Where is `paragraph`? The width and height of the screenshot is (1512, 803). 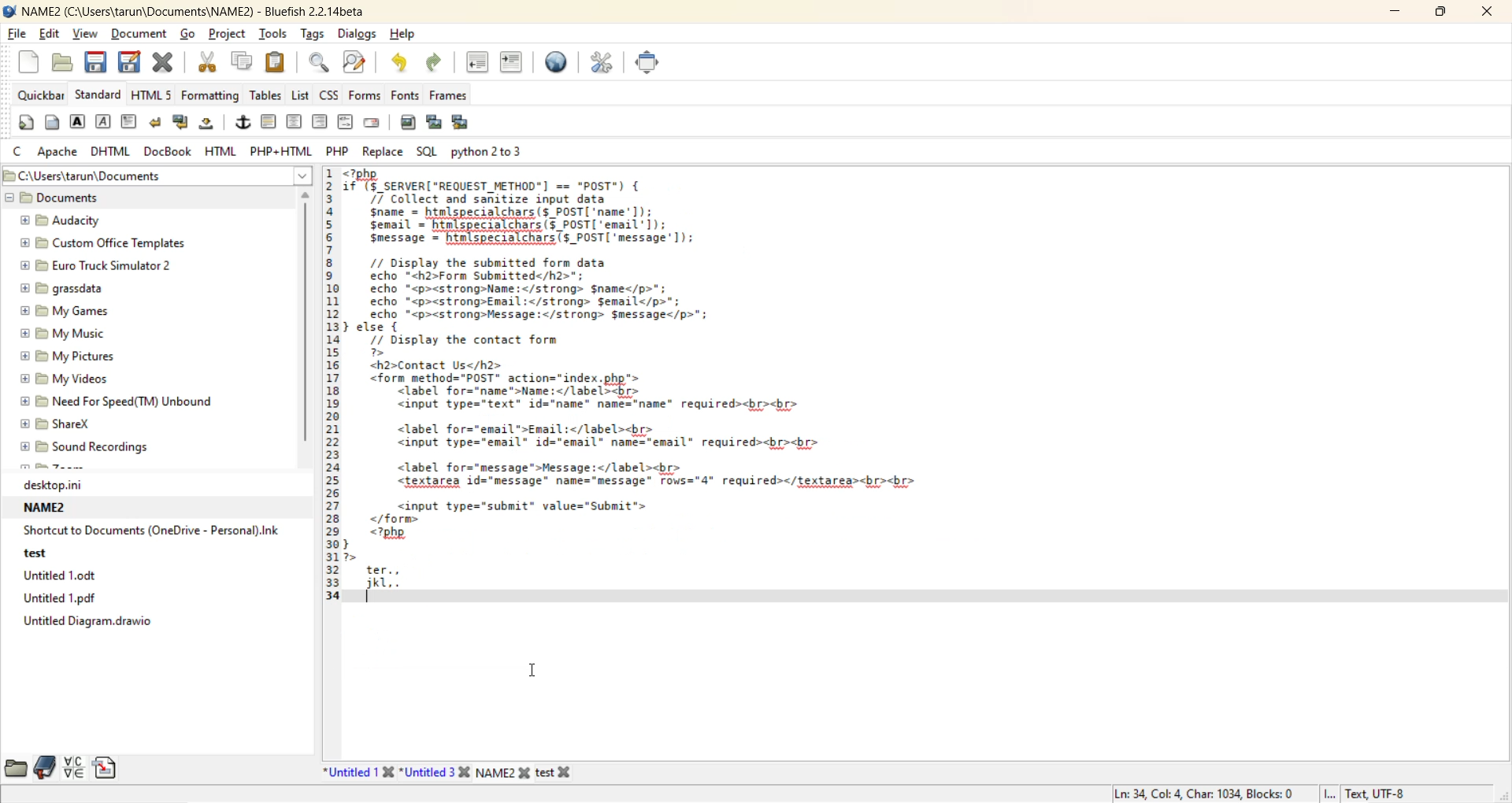 paragraph is located at coordinates (132, 124).